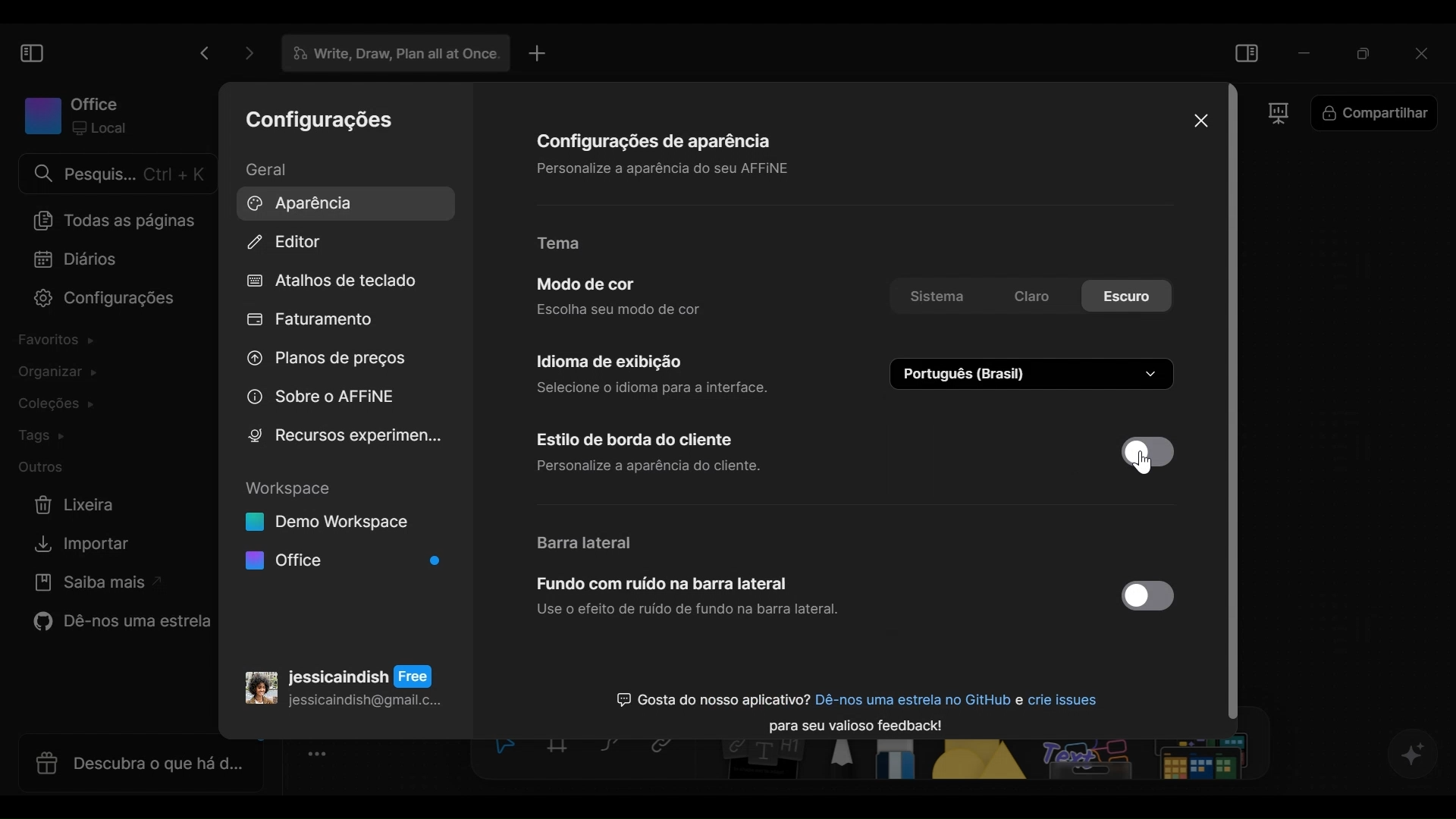 This screenshot has width=1456, height=819. What do you see at coordinates (134, 762) in the screenshot?
I see `Discover what's new` at bounding box center [134, 762].